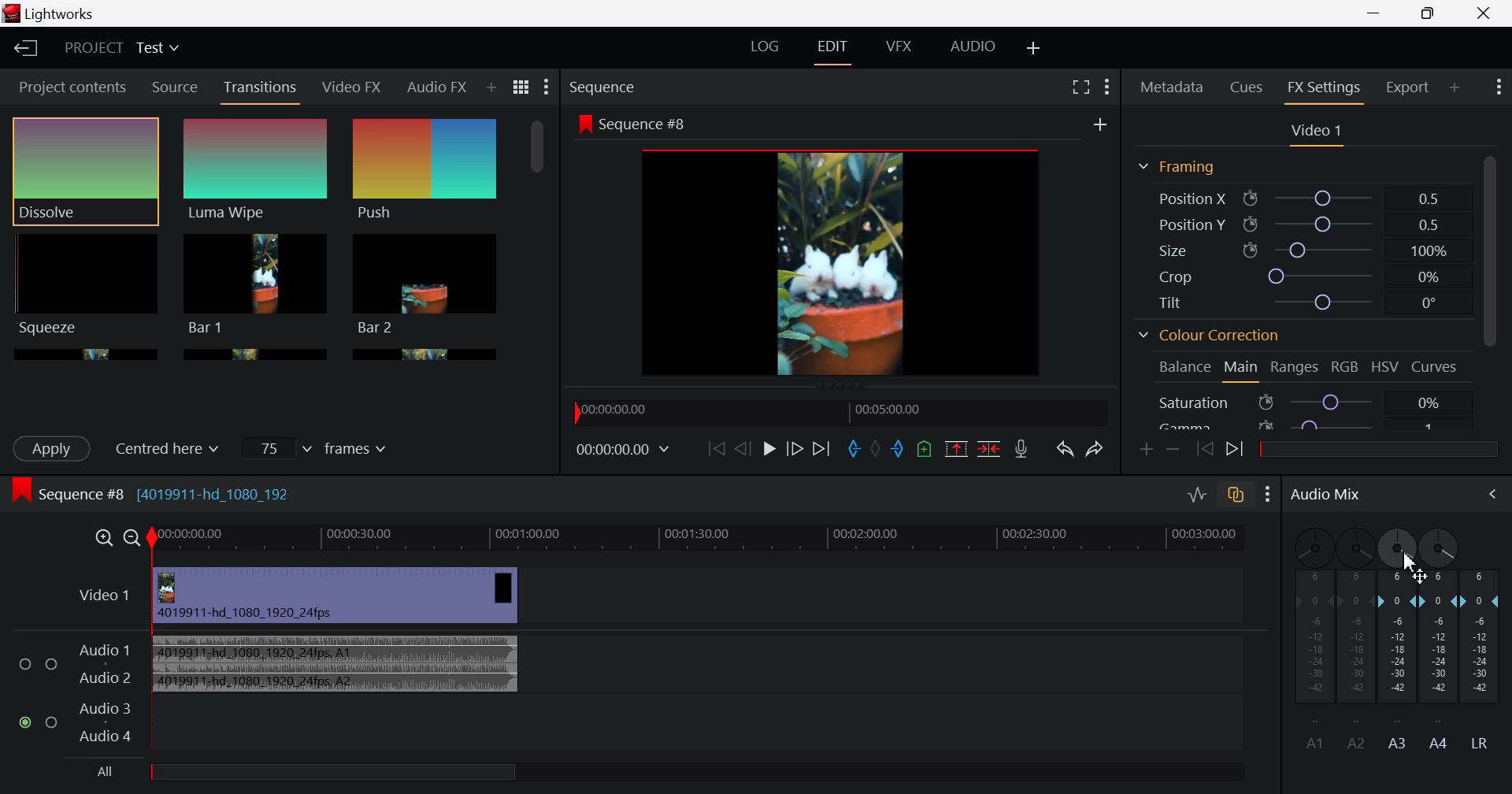 The width and height of the screenshot is (1512, 794). Describe the element at coordinates (713, 538) in the screenshot. I see `Timeline Track` at that location.